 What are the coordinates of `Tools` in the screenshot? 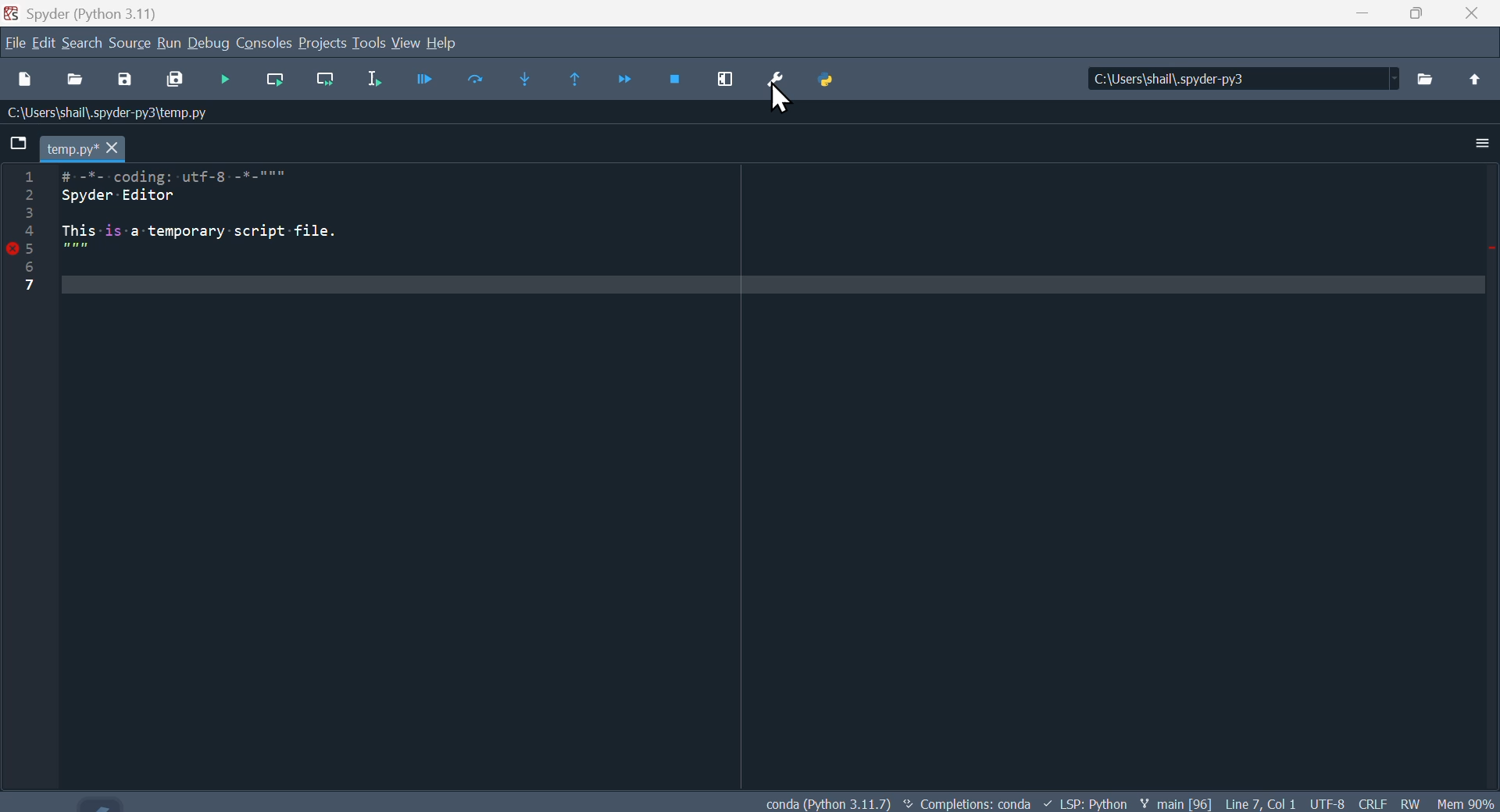 It's located at (369, 42).